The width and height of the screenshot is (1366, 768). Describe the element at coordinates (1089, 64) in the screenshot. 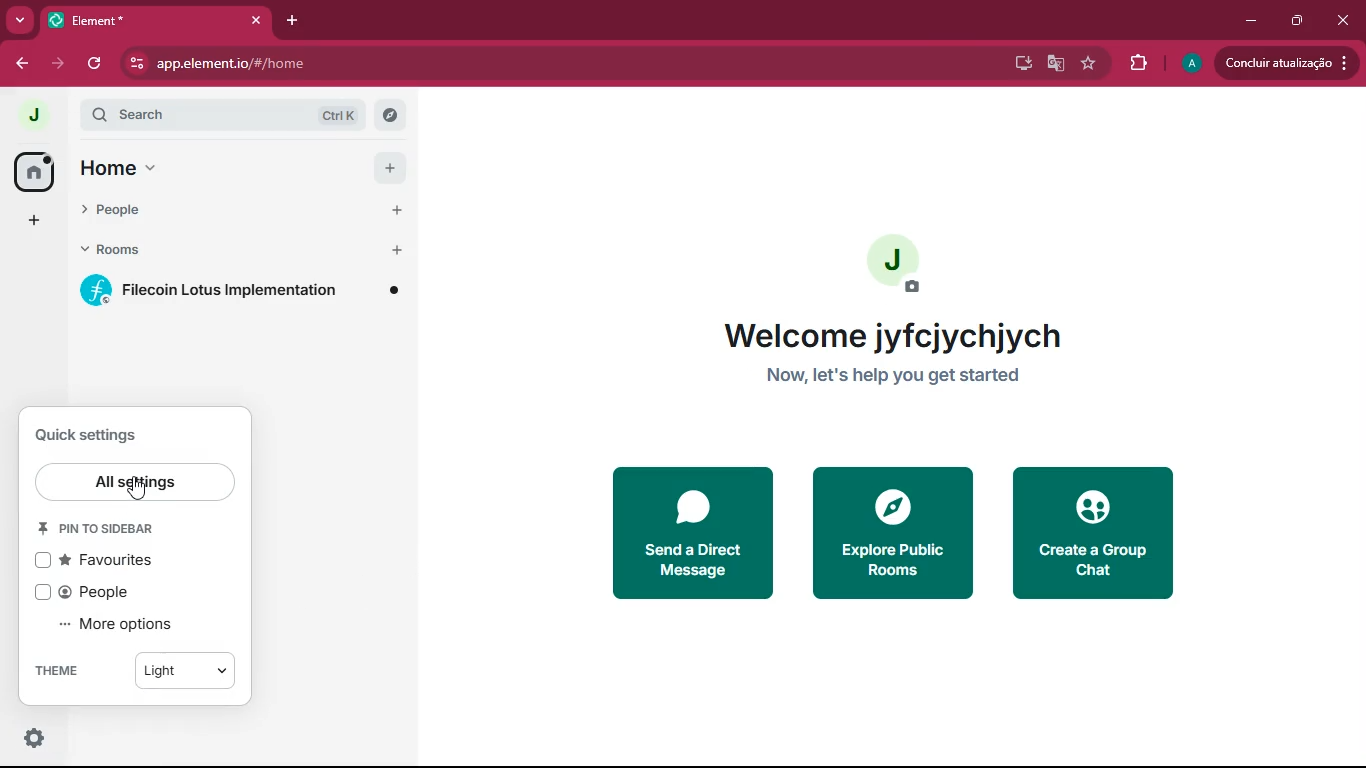

I see `favourite` at that location.